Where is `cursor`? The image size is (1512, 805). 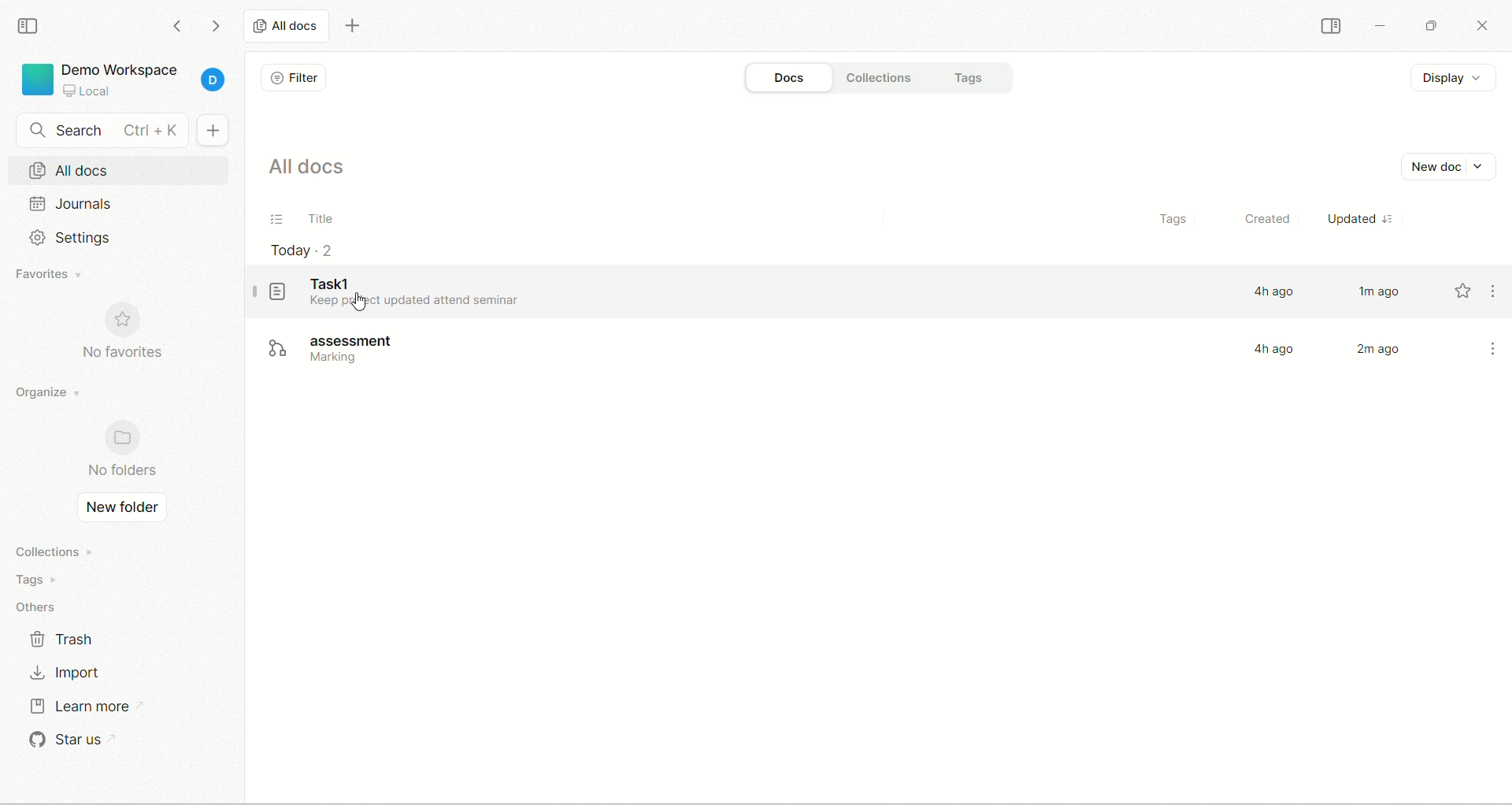 cursor is located at coordinates (358, 304).